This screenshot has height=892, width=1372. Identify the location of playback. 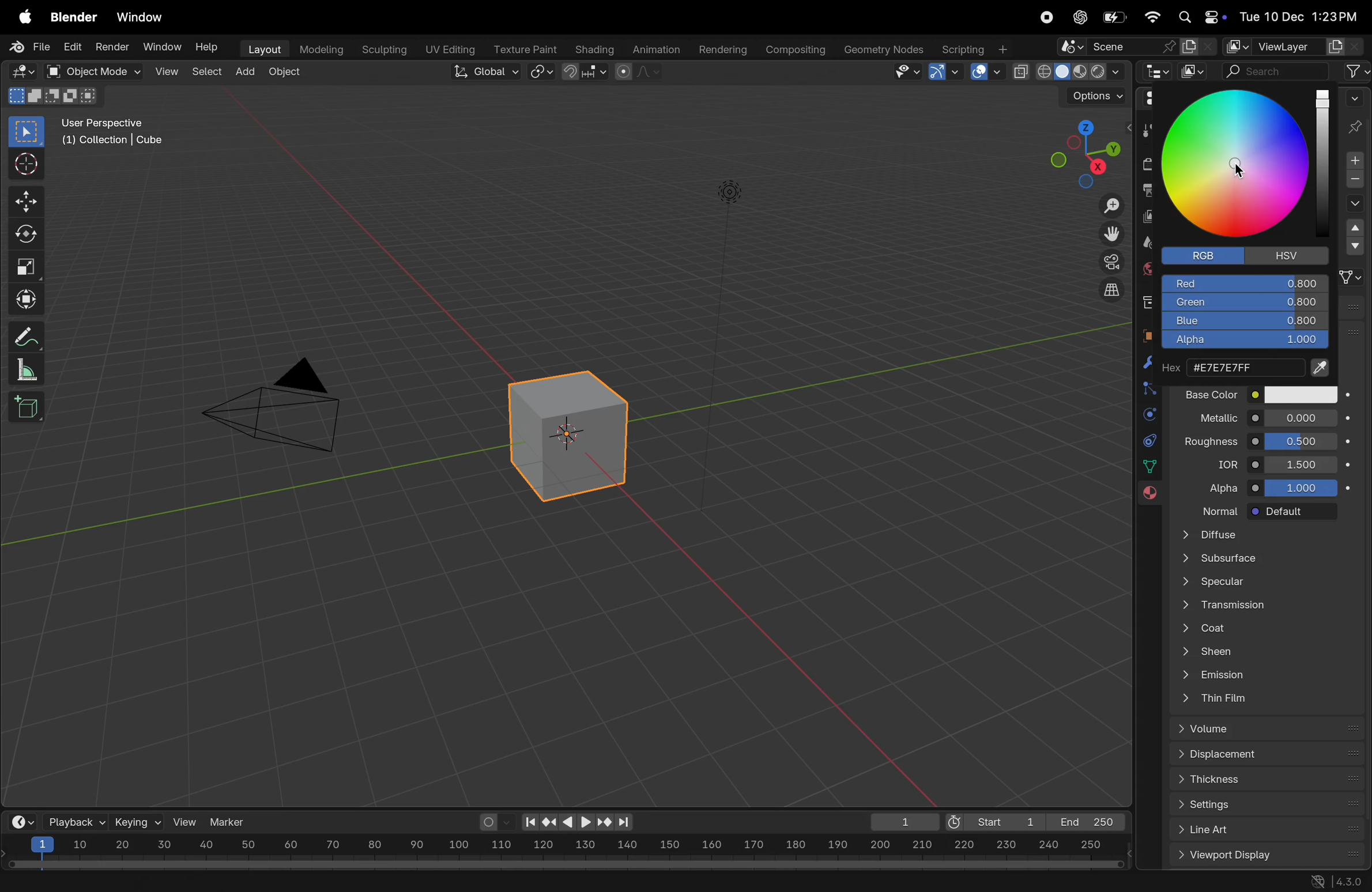
(74, 821).